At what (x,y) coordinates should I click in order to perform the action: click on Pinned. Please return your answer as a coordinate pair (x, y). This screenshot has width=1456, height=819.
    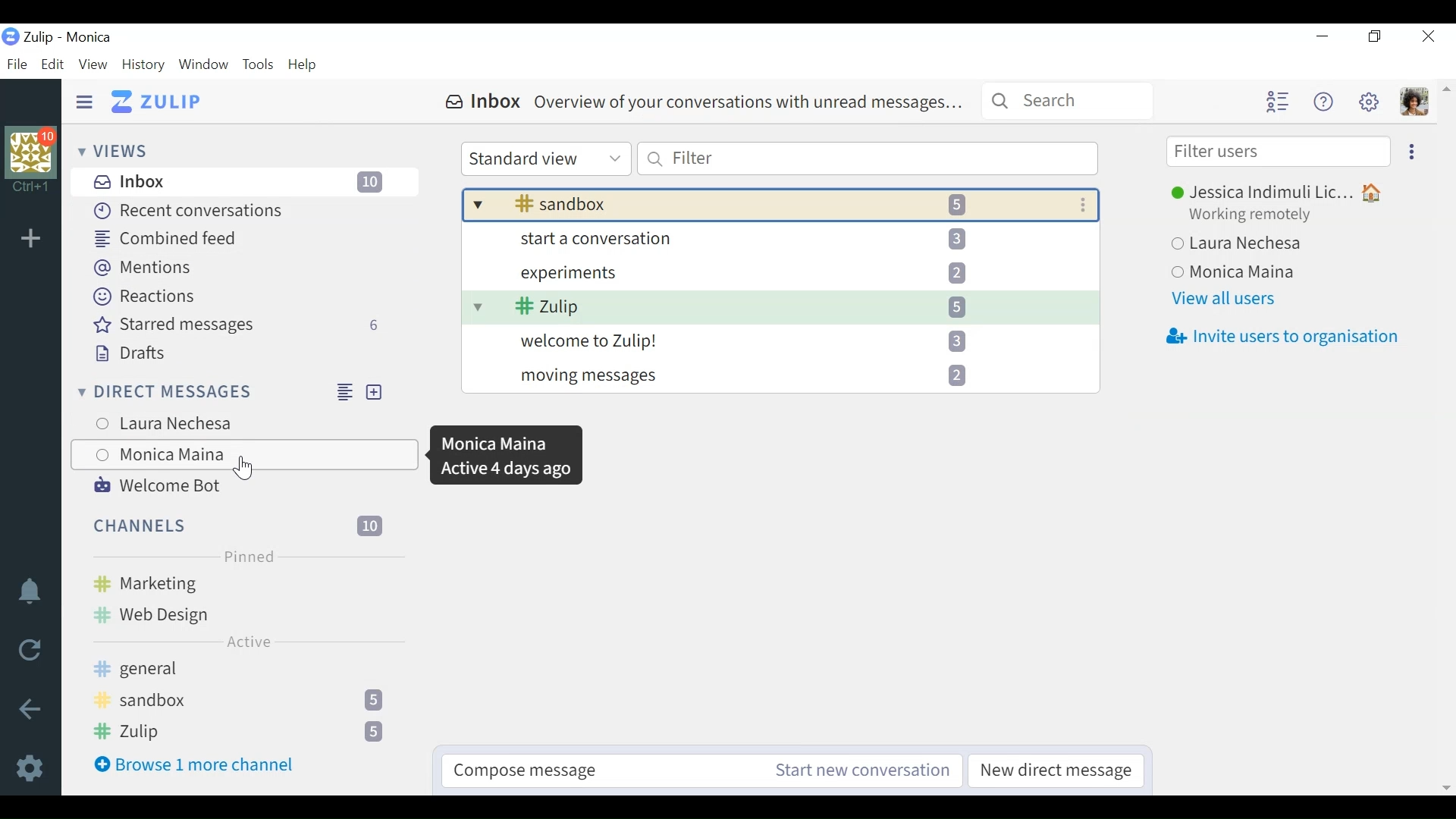
    Looking at the image, I should click on (245, 555).